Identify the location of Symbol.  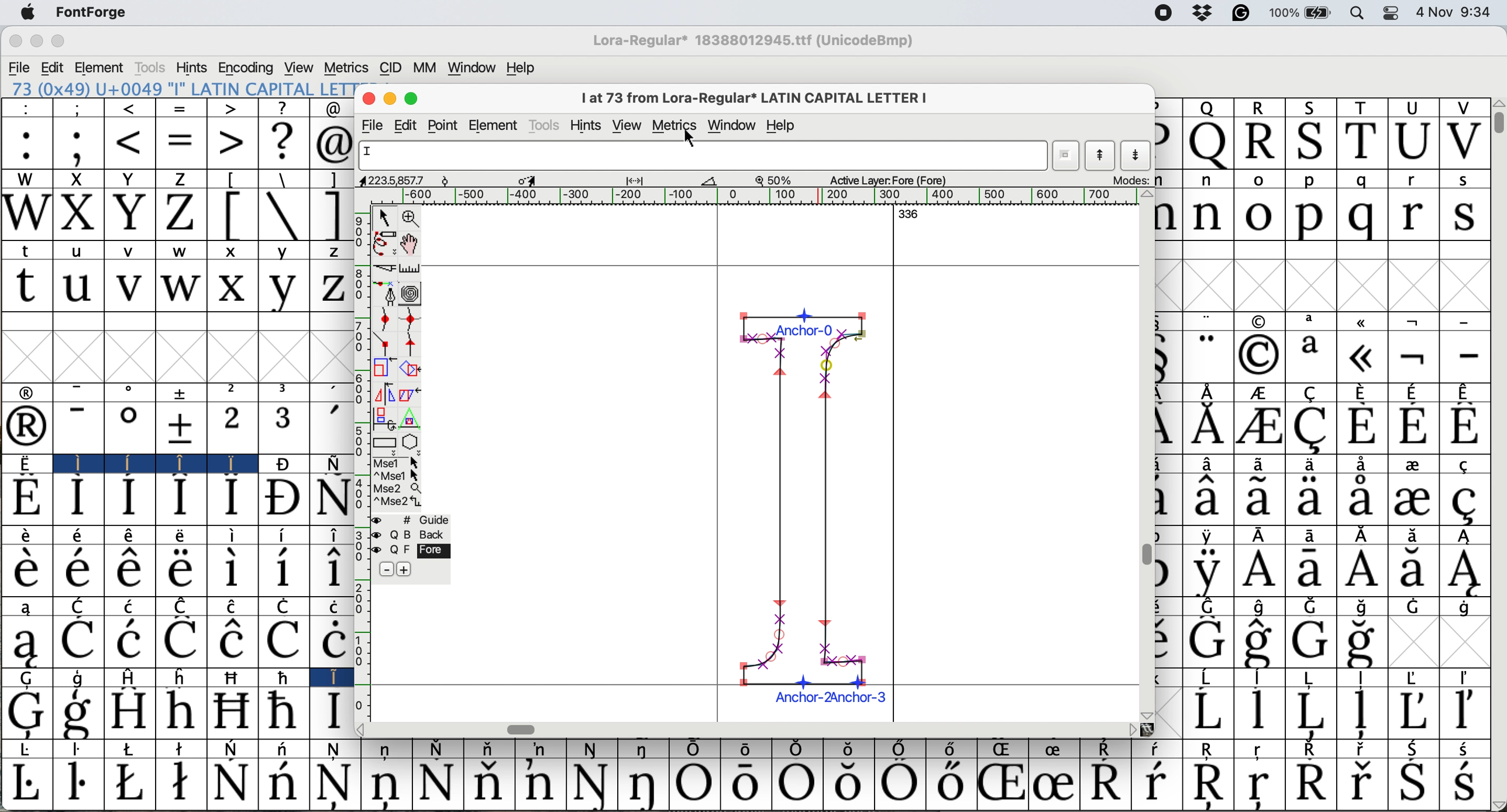
(1465, 784).